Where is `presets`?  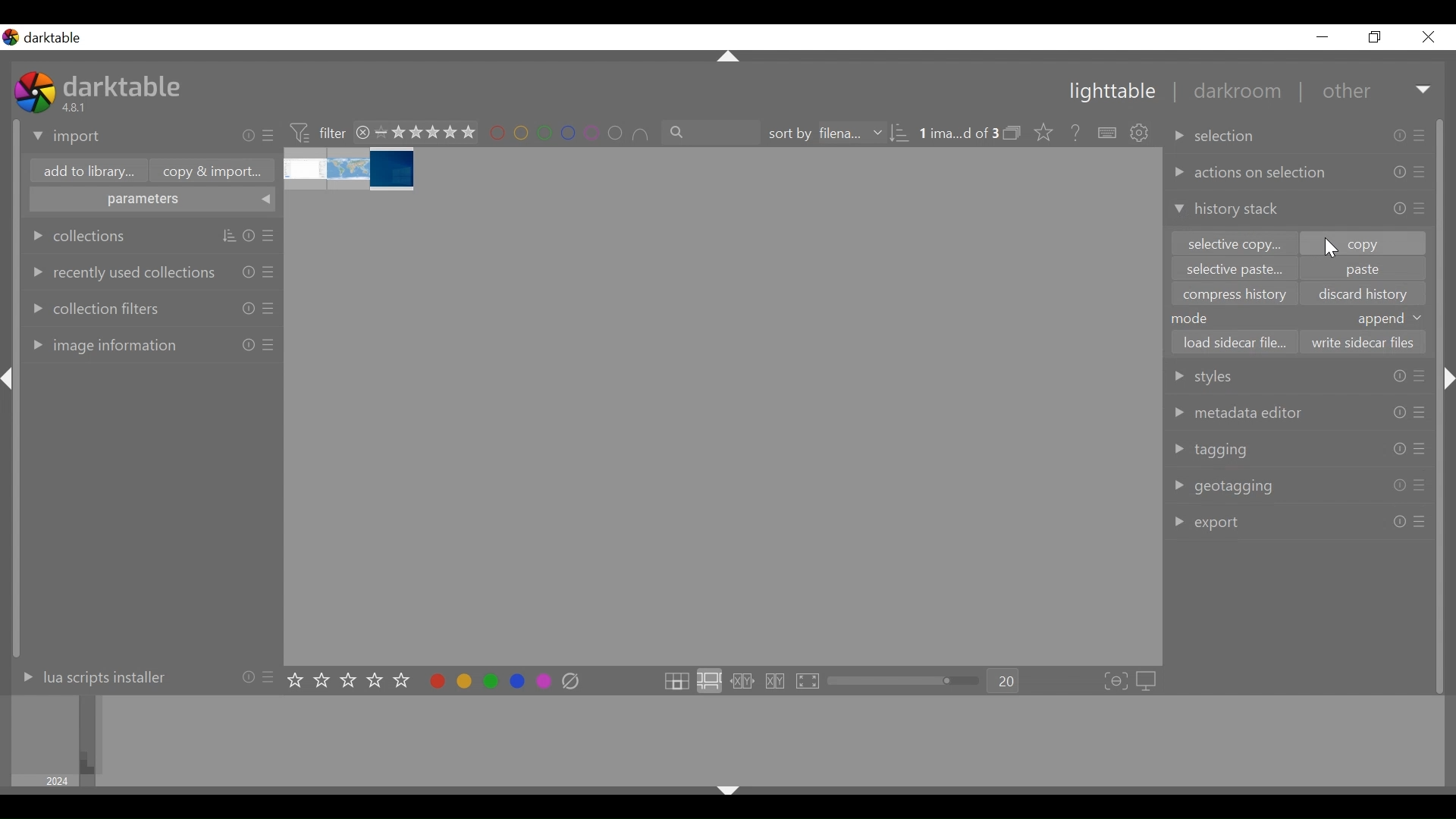 presets is located at coordinates (1420, 485).